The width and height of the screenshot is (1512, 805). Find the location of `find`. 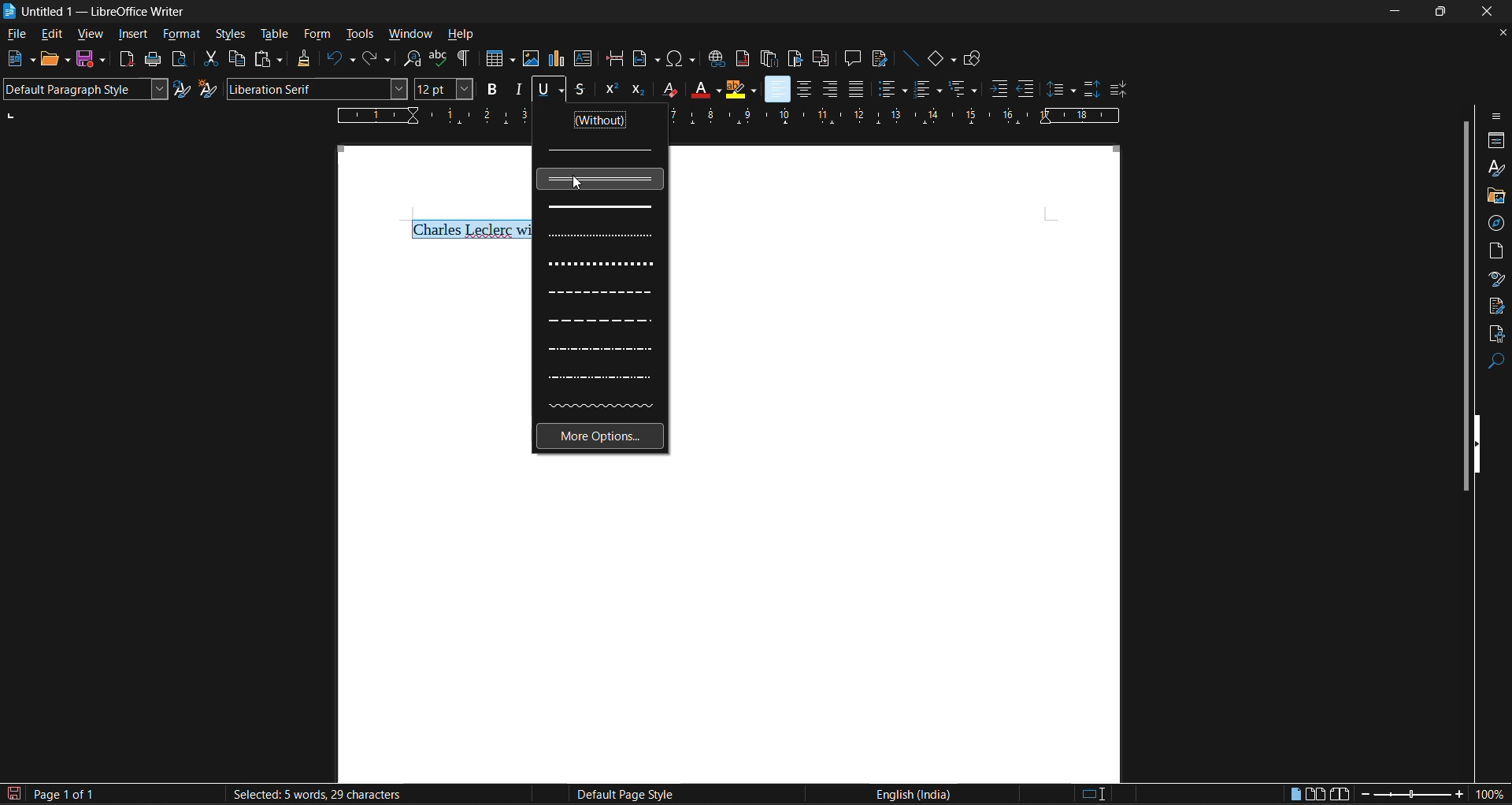

find is located at coordinates (1496, 362).